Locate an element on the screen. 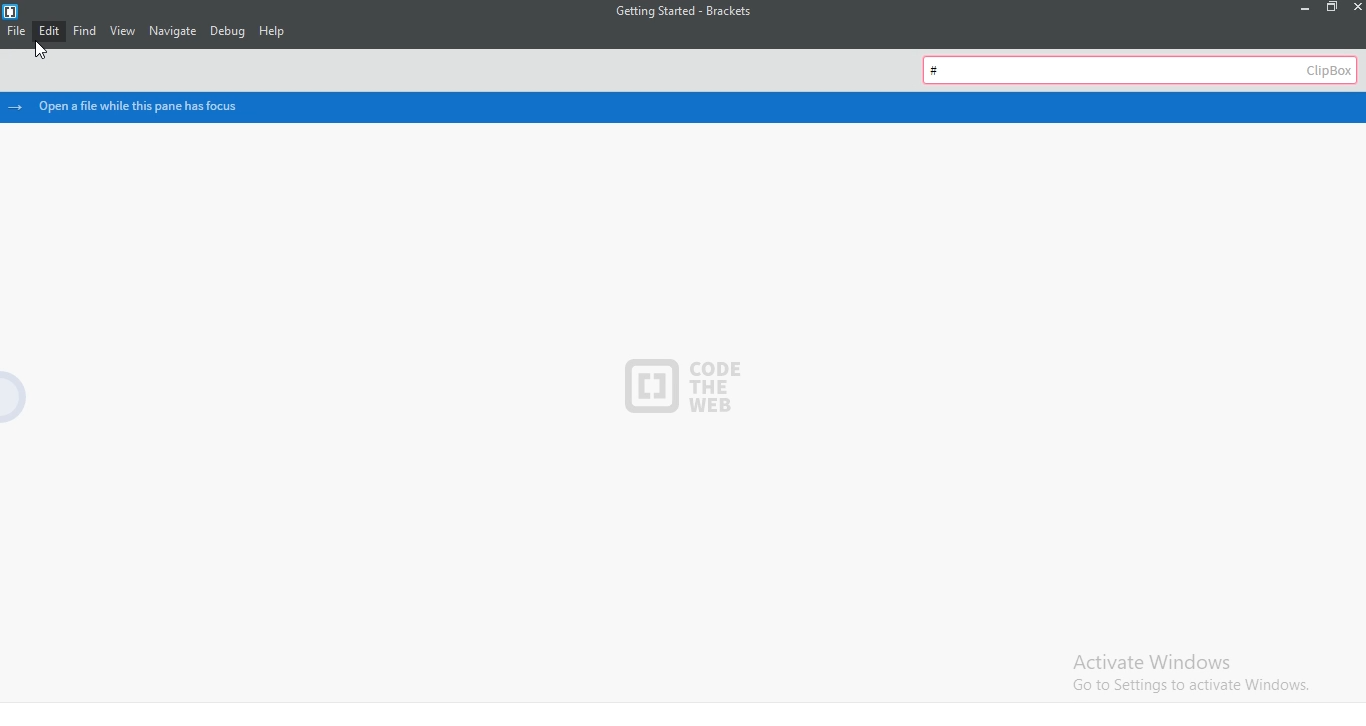  minimize is located at coordinates (1299, 8).